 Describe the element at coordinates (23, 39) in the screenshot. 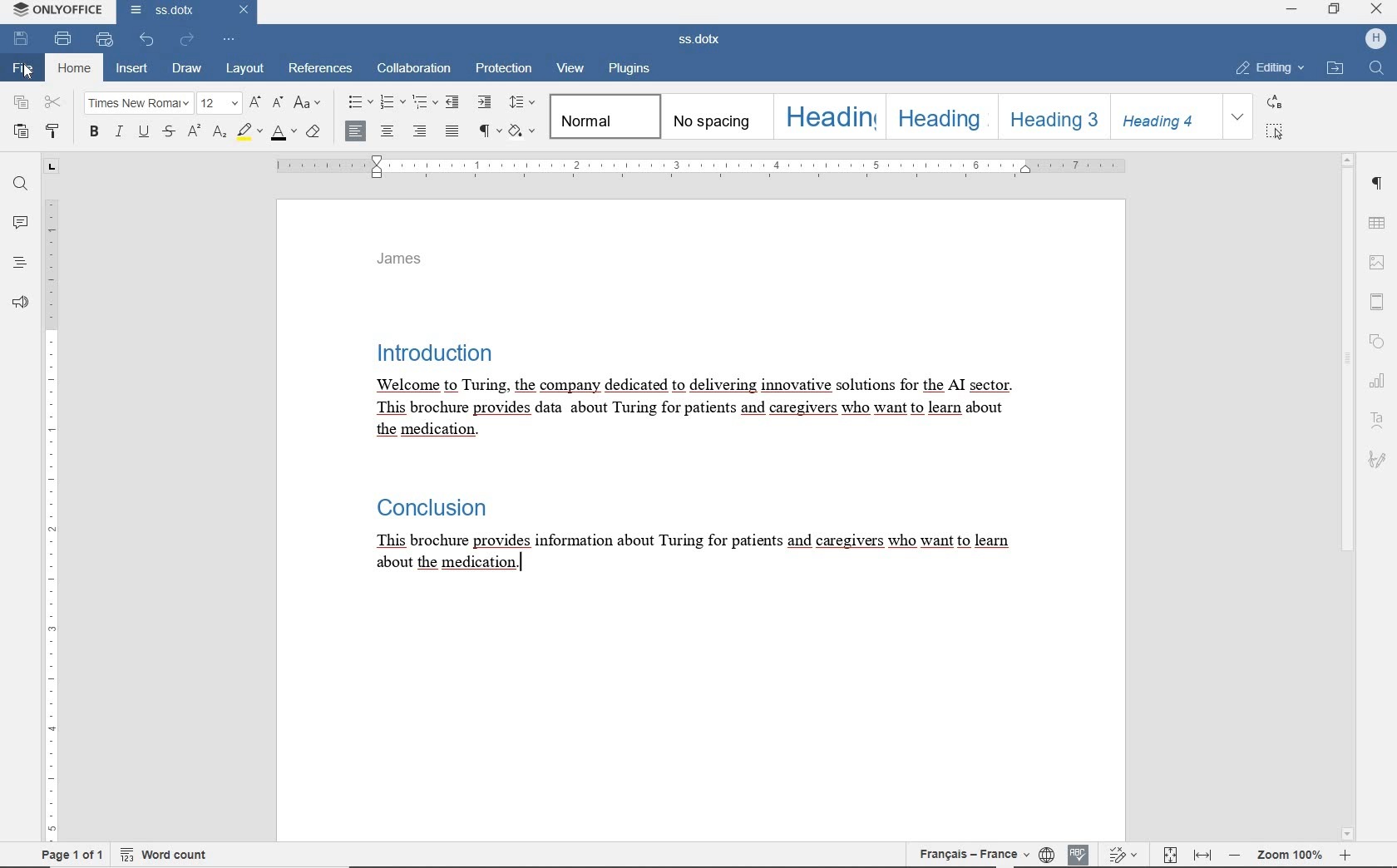

I see `SAVE` at that location.